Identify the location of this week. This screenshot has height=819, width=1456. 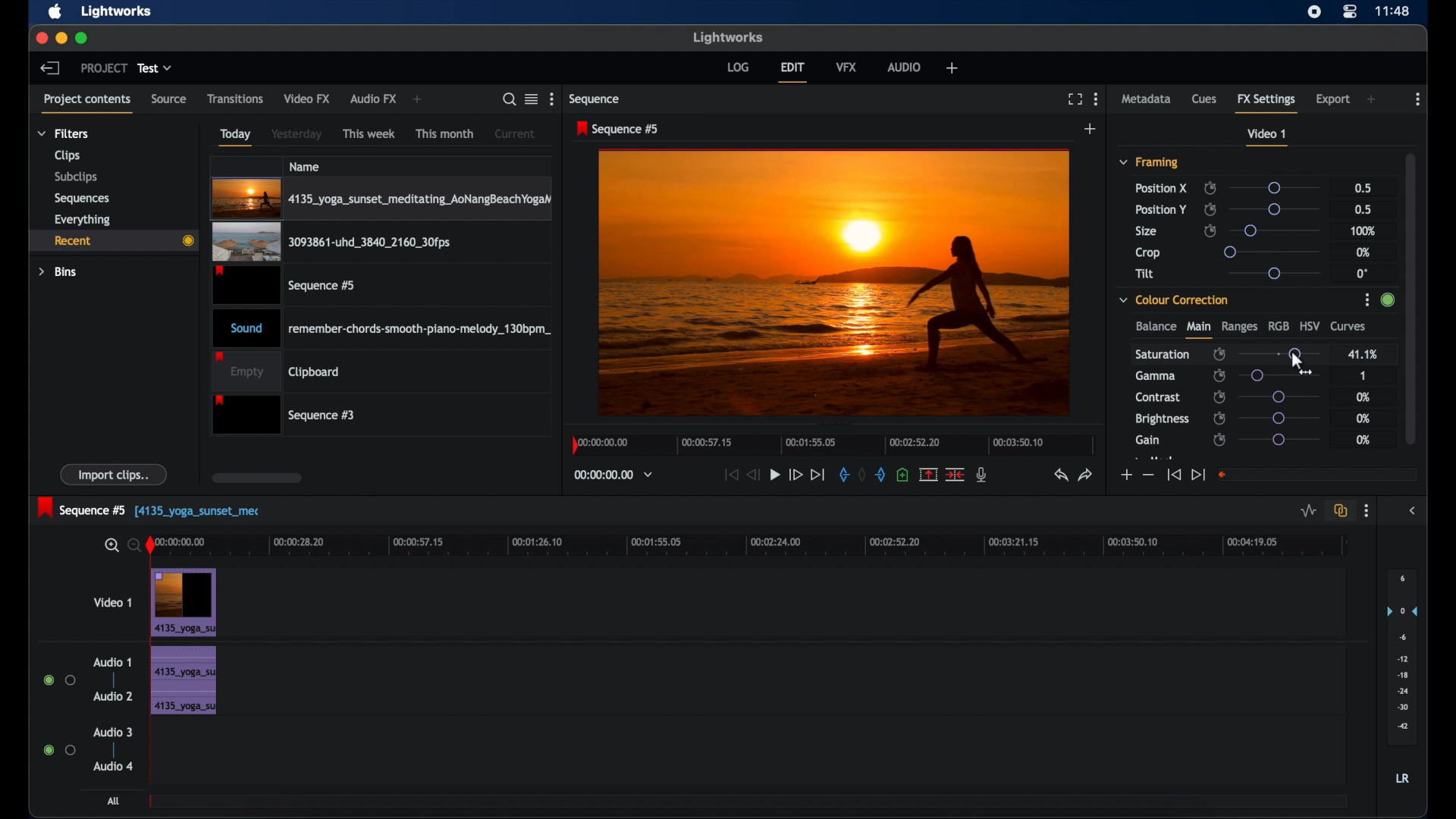
(370, 133).